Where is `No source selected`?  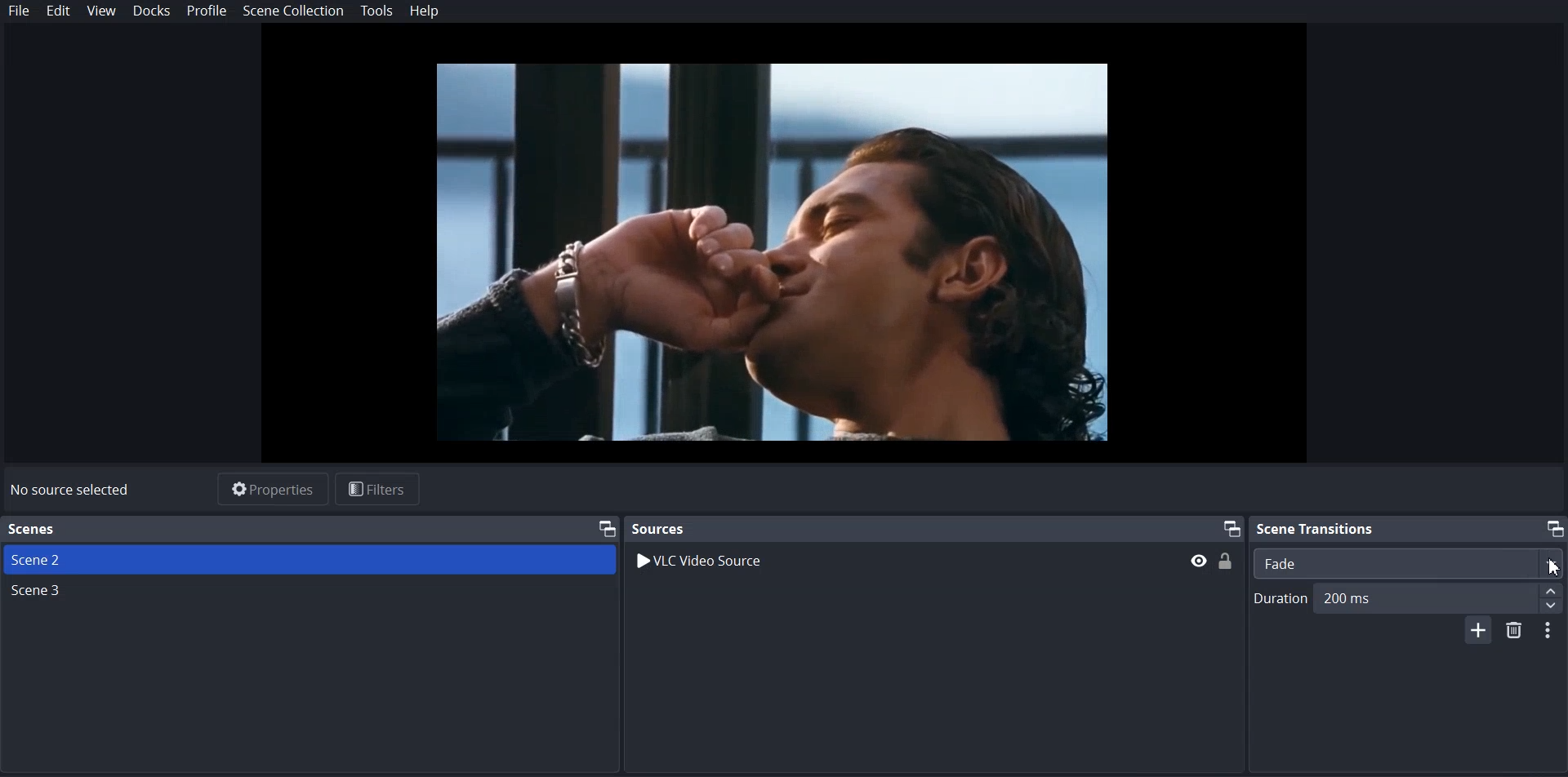
No source selected is located at coordinates (71, 491).